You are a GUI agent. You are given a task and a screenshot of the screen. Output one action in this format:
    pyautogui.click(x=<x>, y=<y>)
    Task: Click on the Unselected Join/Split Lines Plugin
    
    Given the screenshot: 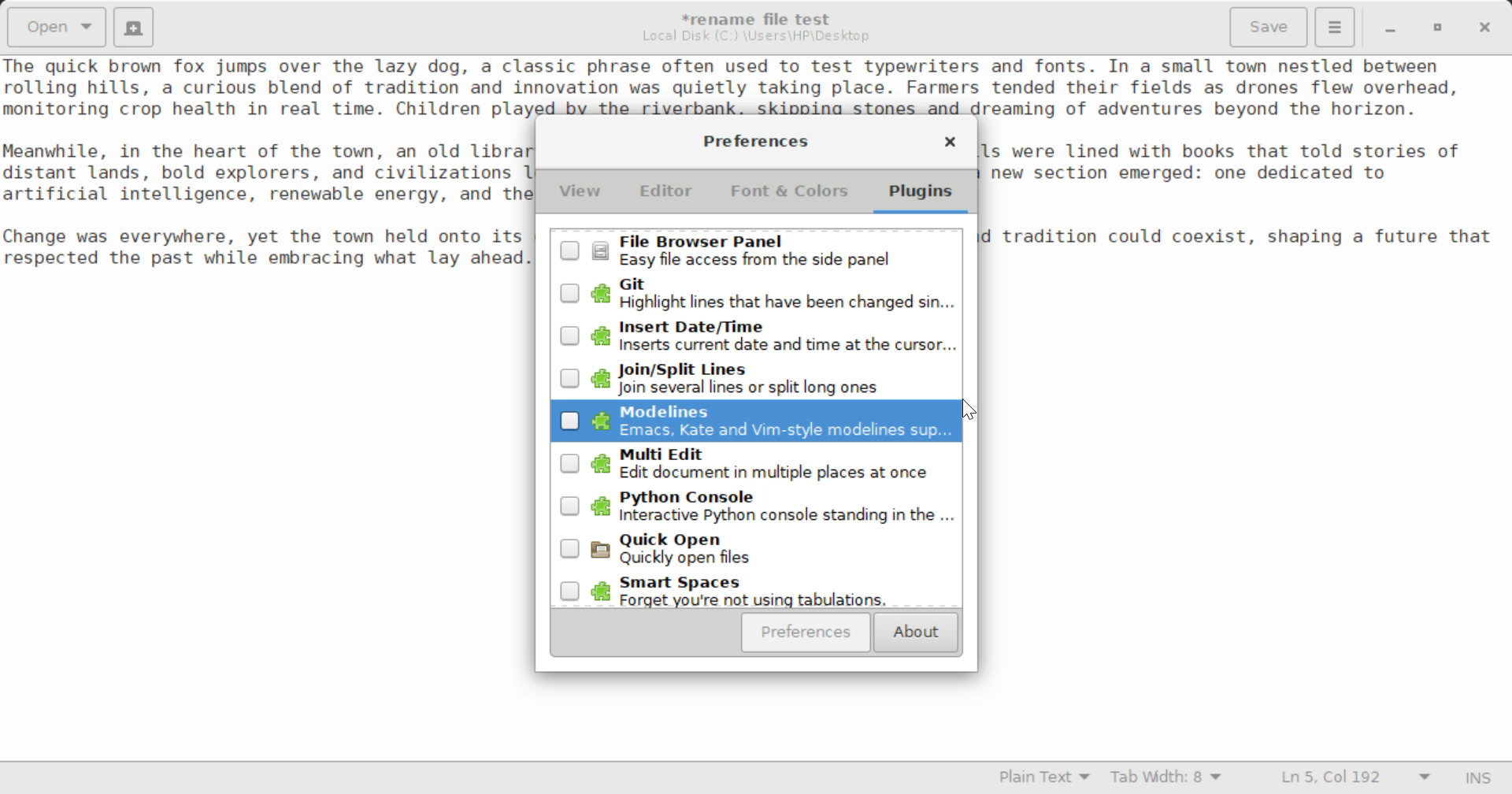 What is the action you would take?
    pyautogui.click(x=756, y=379)
    